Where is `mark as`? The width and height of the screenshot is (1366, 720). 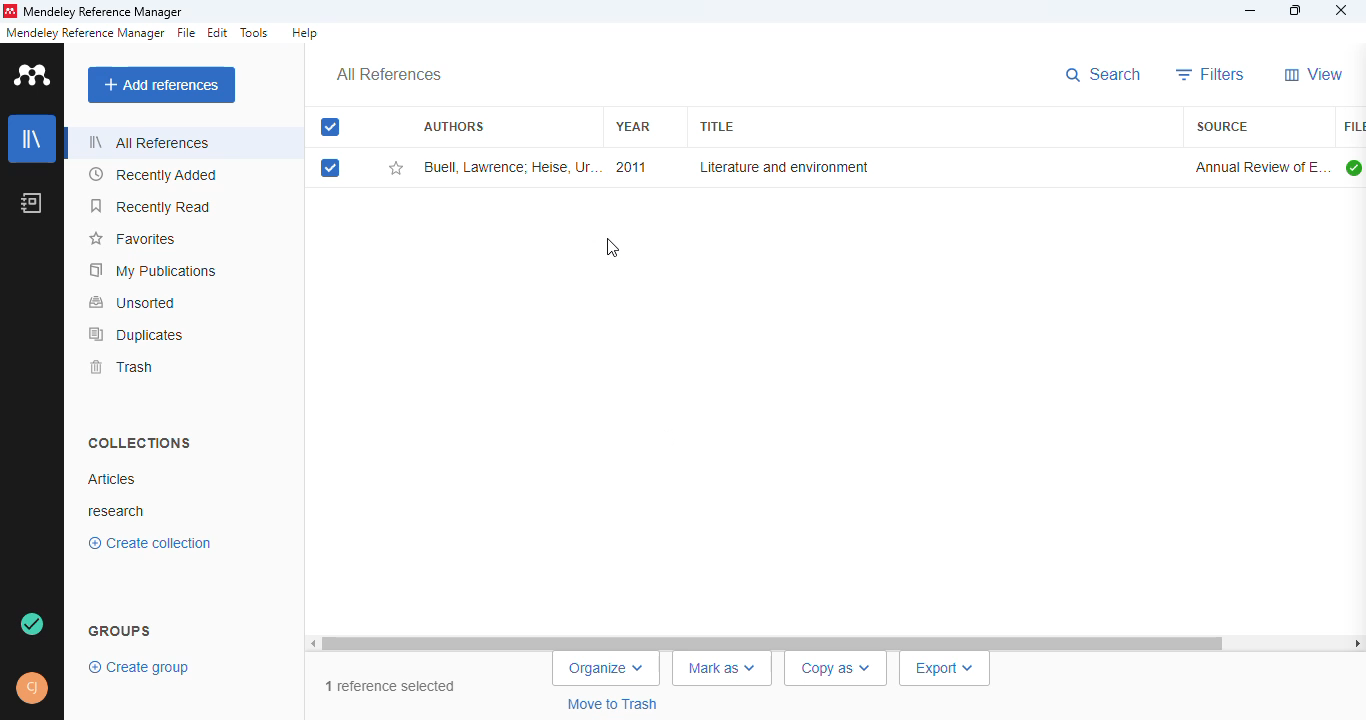
mark as is located at coordinates (723, 669).